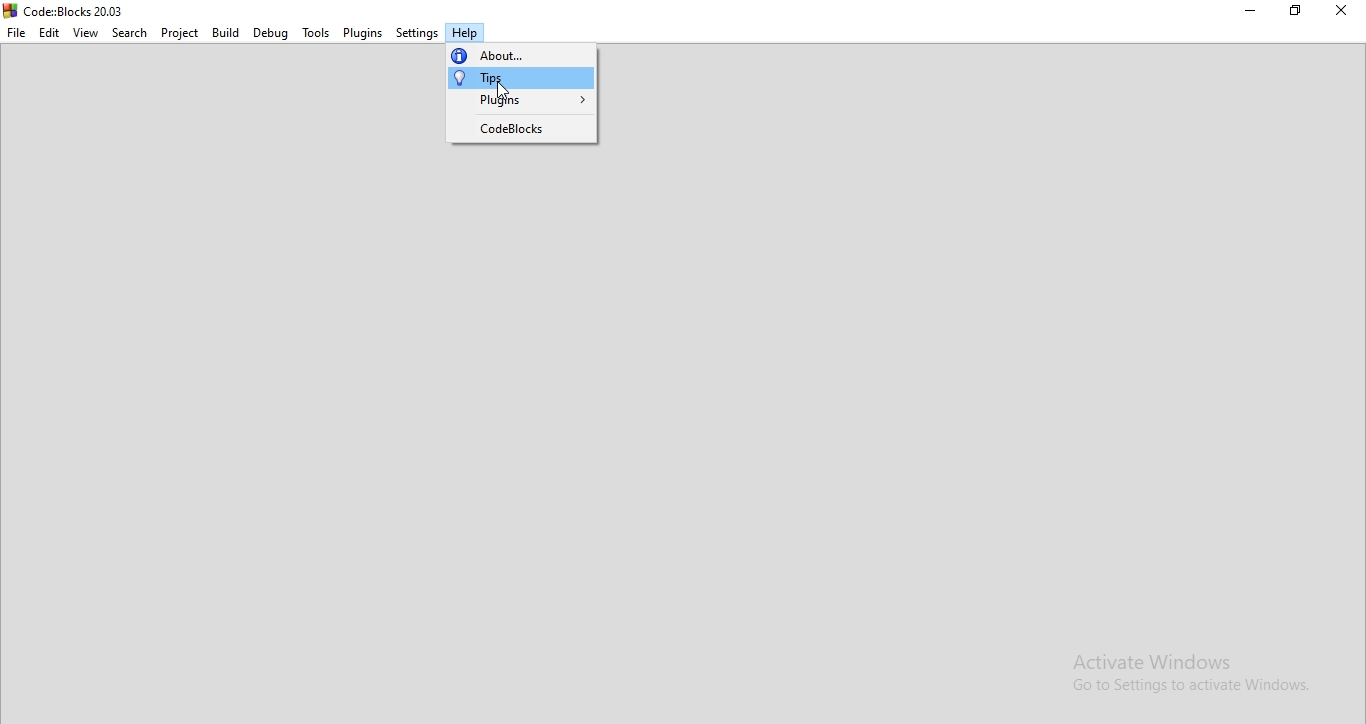 This screenshot has width=1366, height=724. Describe the element at coordinates (504, 92) in the screenshot. I see `cursor on Tips` at that location.